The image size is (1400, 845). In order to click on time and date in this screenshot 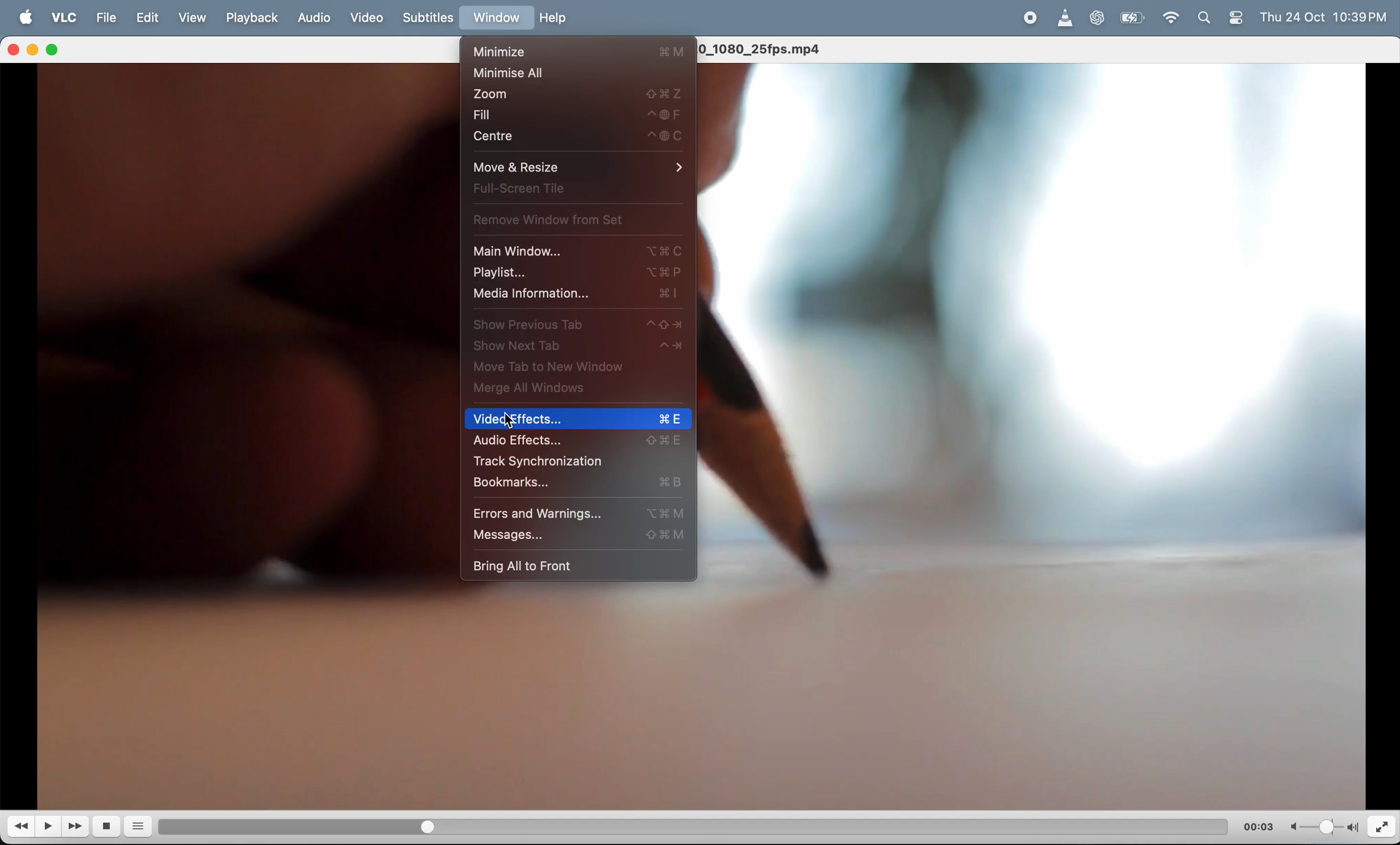, I will do `click(1328, 16)`.